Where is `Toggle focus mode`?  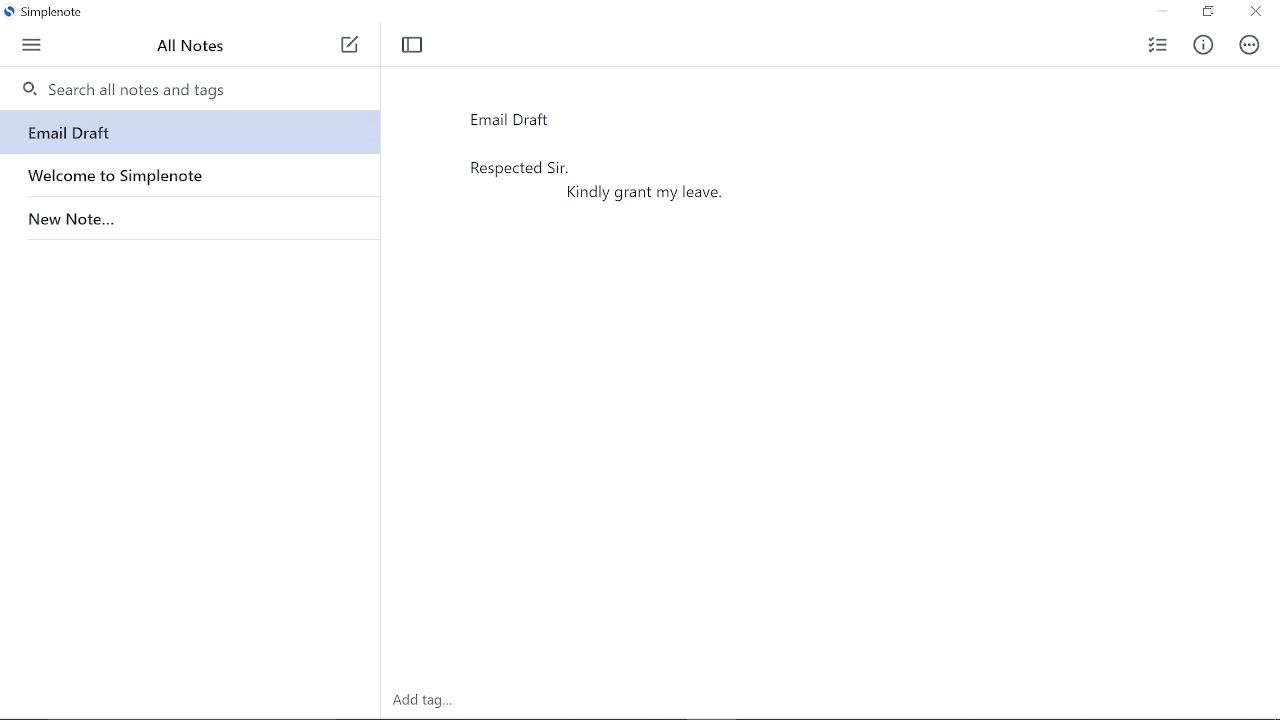 Toggle focus mode is located at coordinates (412, 44).